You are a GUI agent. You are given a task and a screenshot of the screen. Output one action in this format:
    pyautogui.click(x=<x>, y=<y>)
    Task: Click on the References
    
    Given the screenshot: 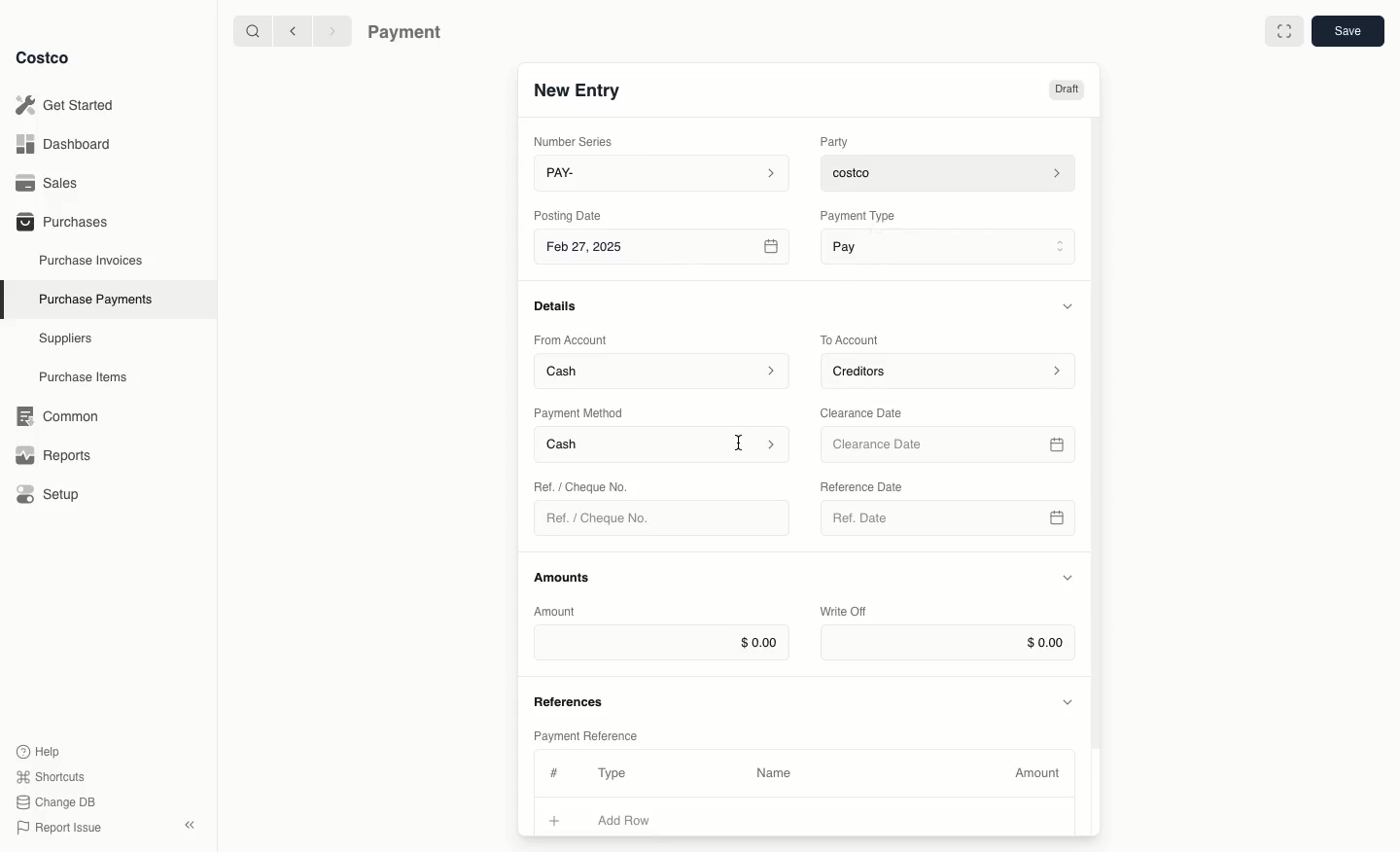 What is the action you would take?
    pyautogui.click(x=572, y=699)
    